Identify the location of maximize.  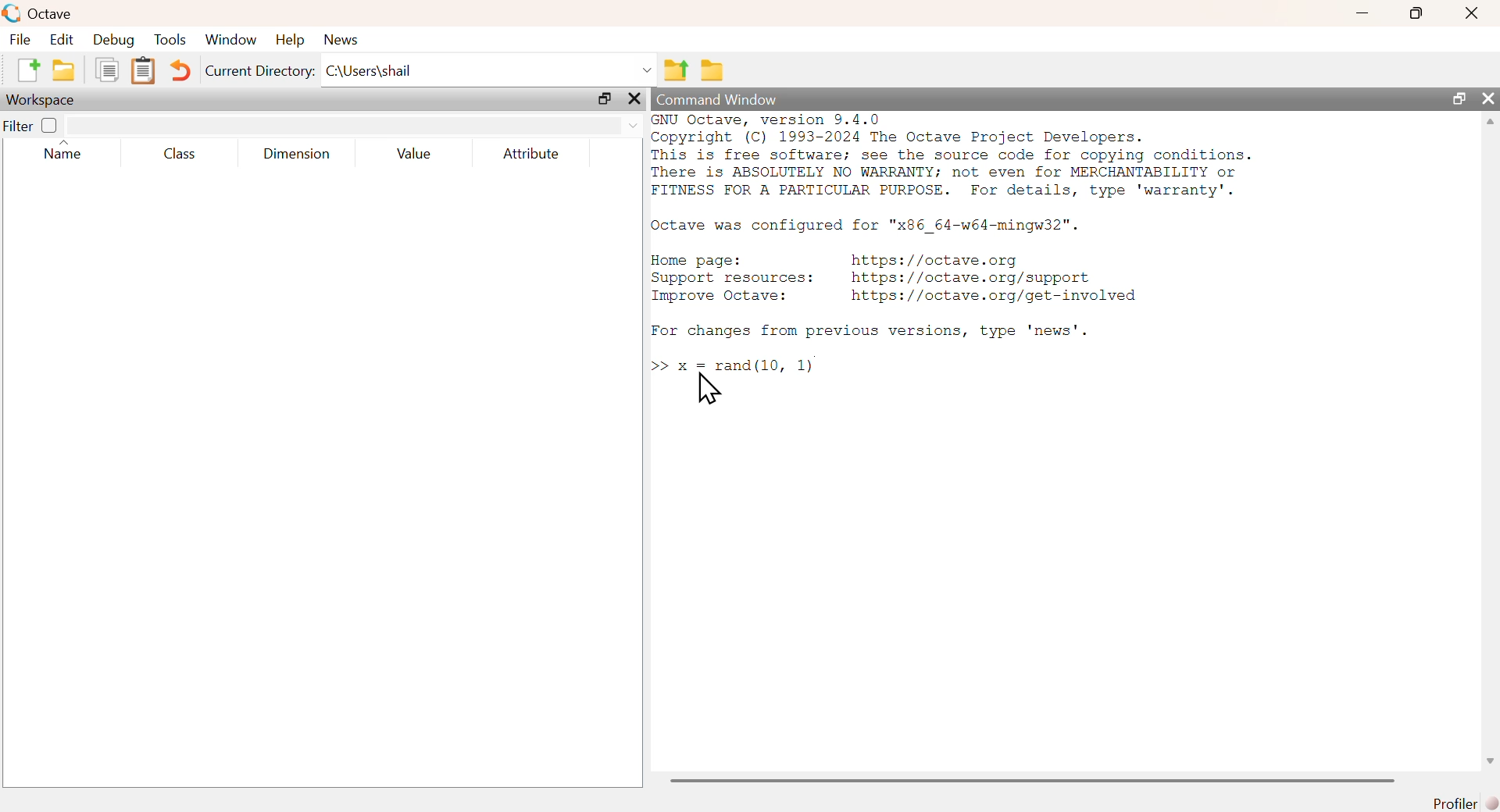
(605, 97).